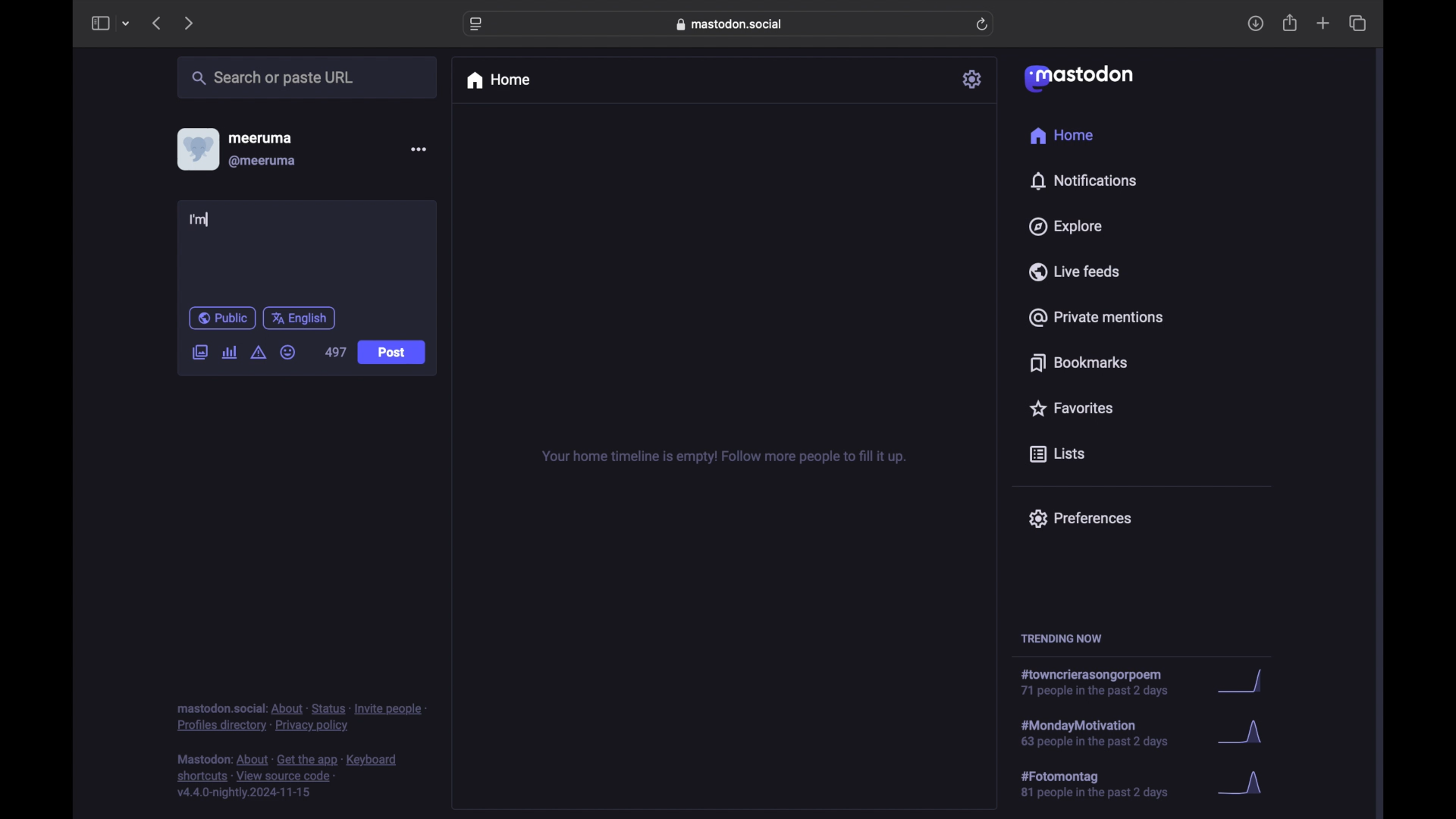  What do you see at coordinates (336, 352) in the screenshot?
I see `497` at bounding box center [336, 352].